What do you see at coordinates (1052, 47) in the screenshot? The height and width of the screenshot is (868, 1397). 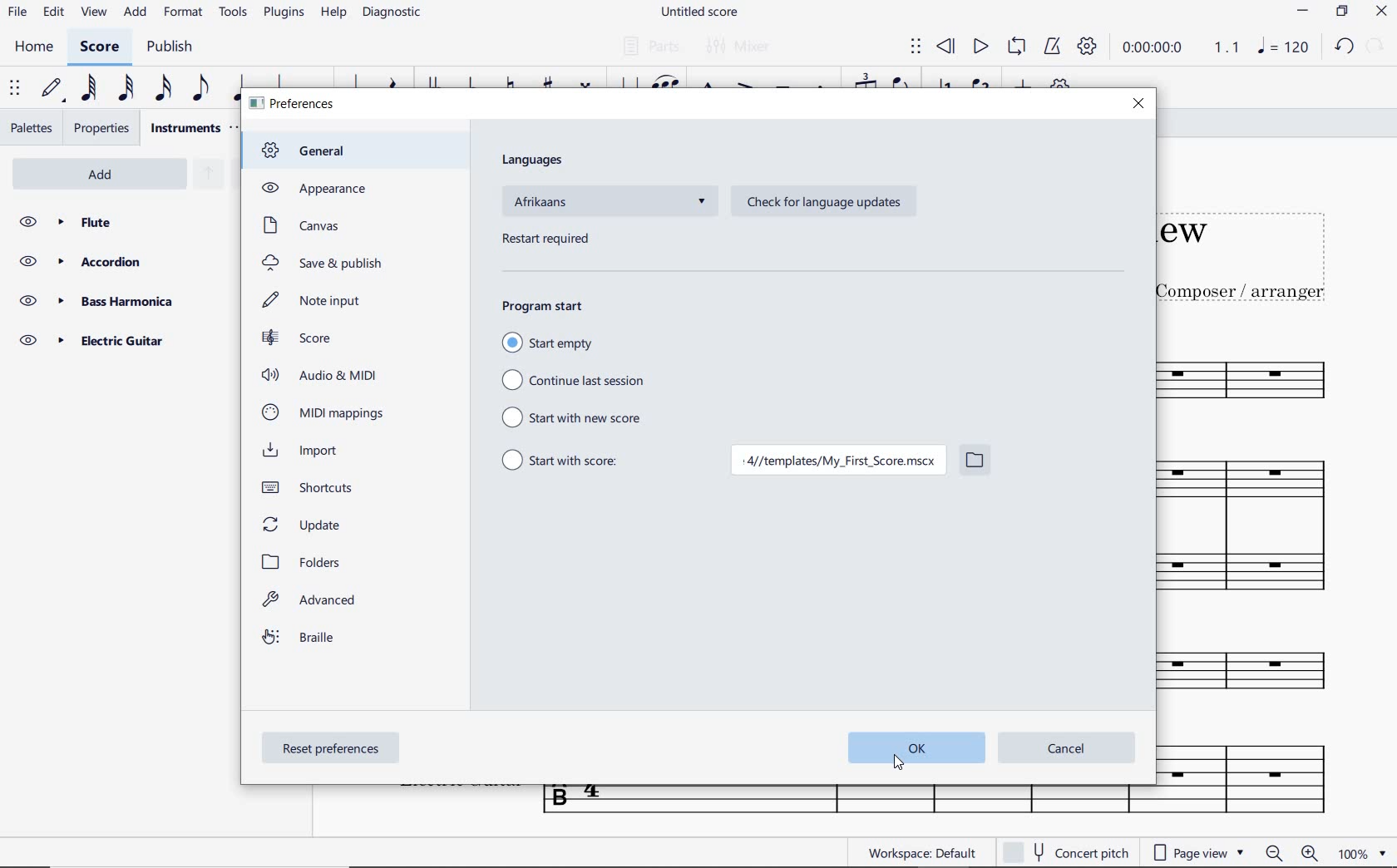 I see `metronome` at bounding box center [1052, 47].